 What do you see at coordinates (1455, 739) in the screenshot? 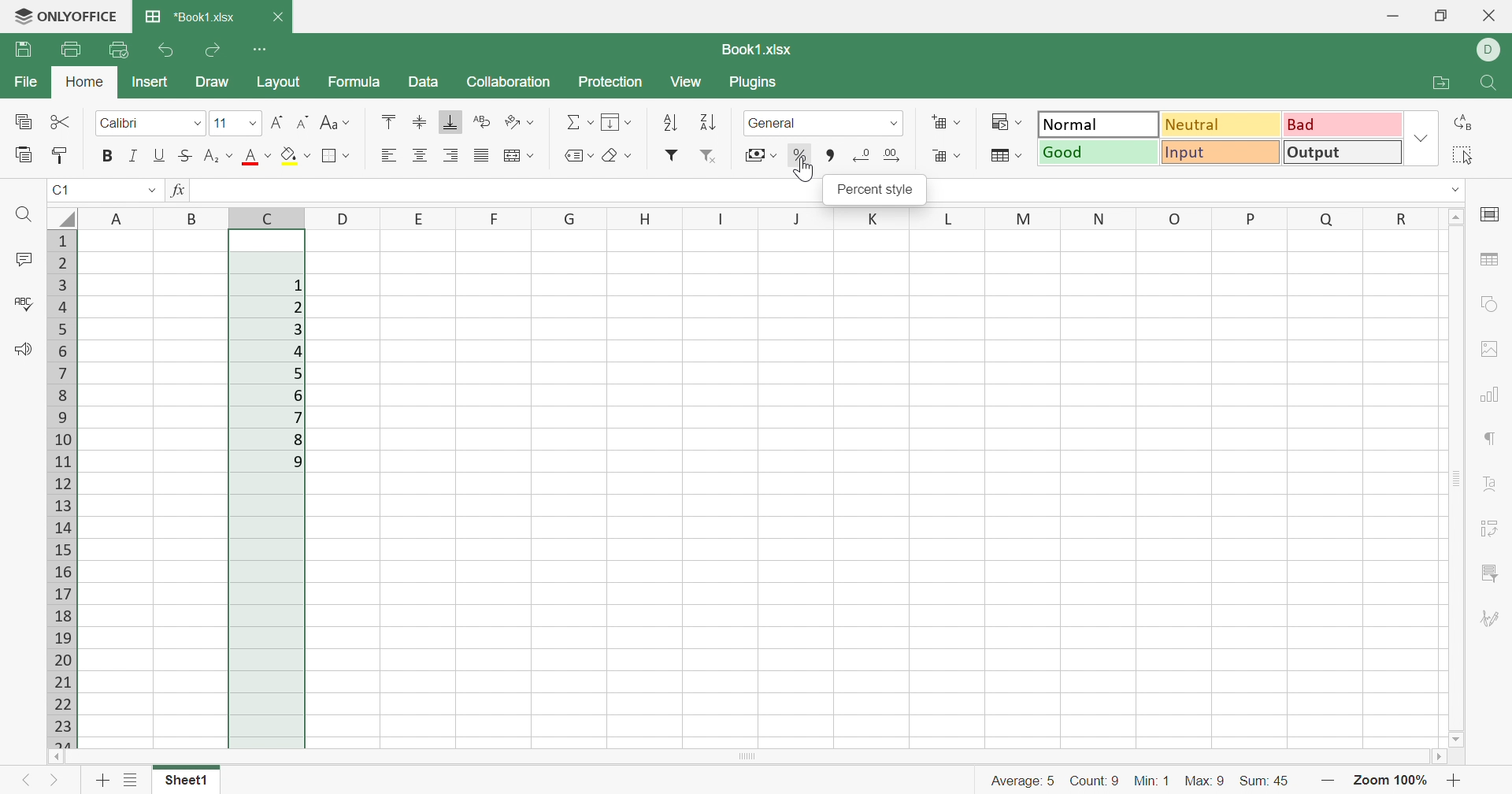
I see `Scroll Down` at bounding box center [1455, 739].